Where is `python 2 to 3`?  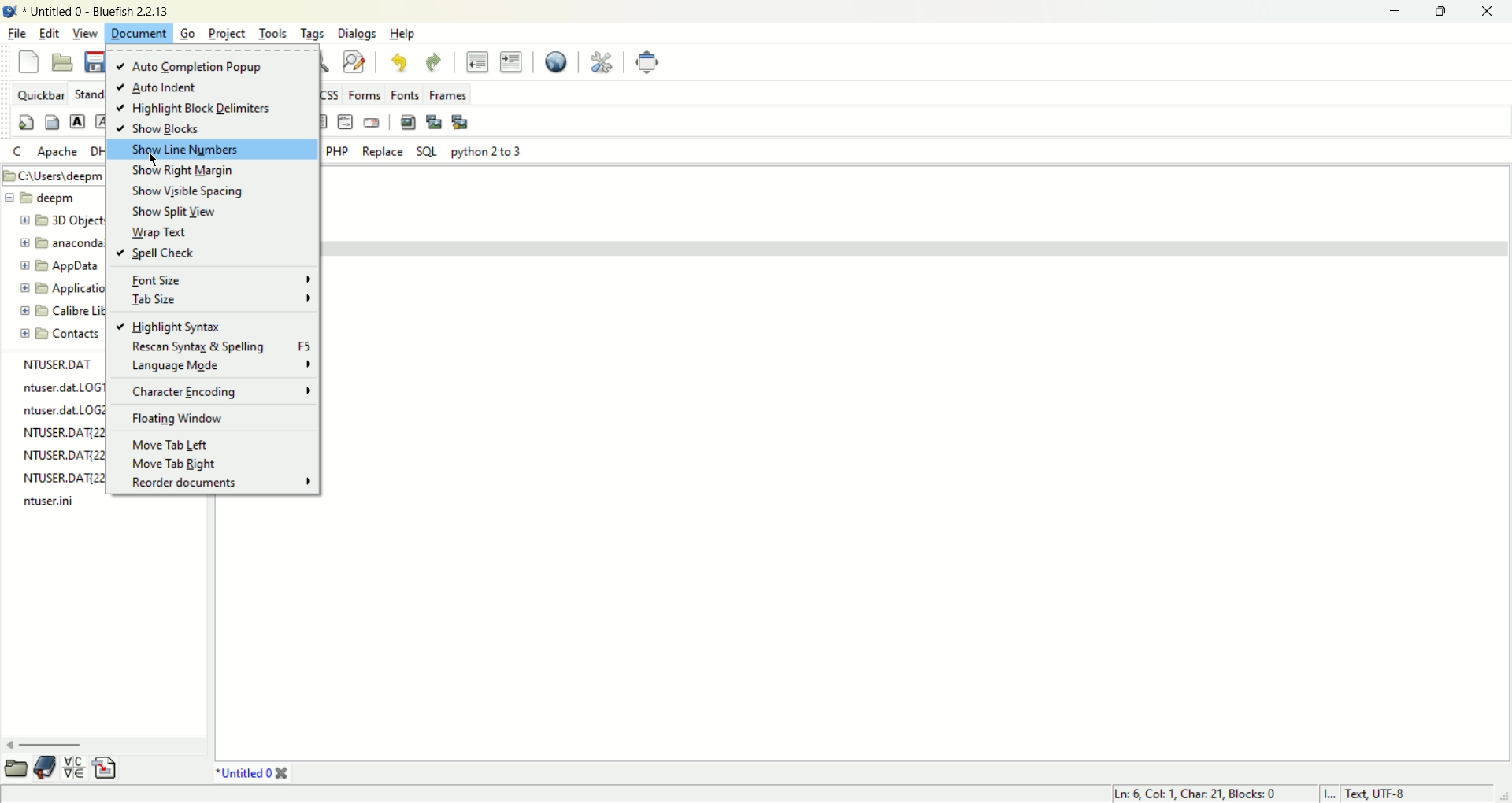 python 2 to 3 is located at coordinates (487, 154).